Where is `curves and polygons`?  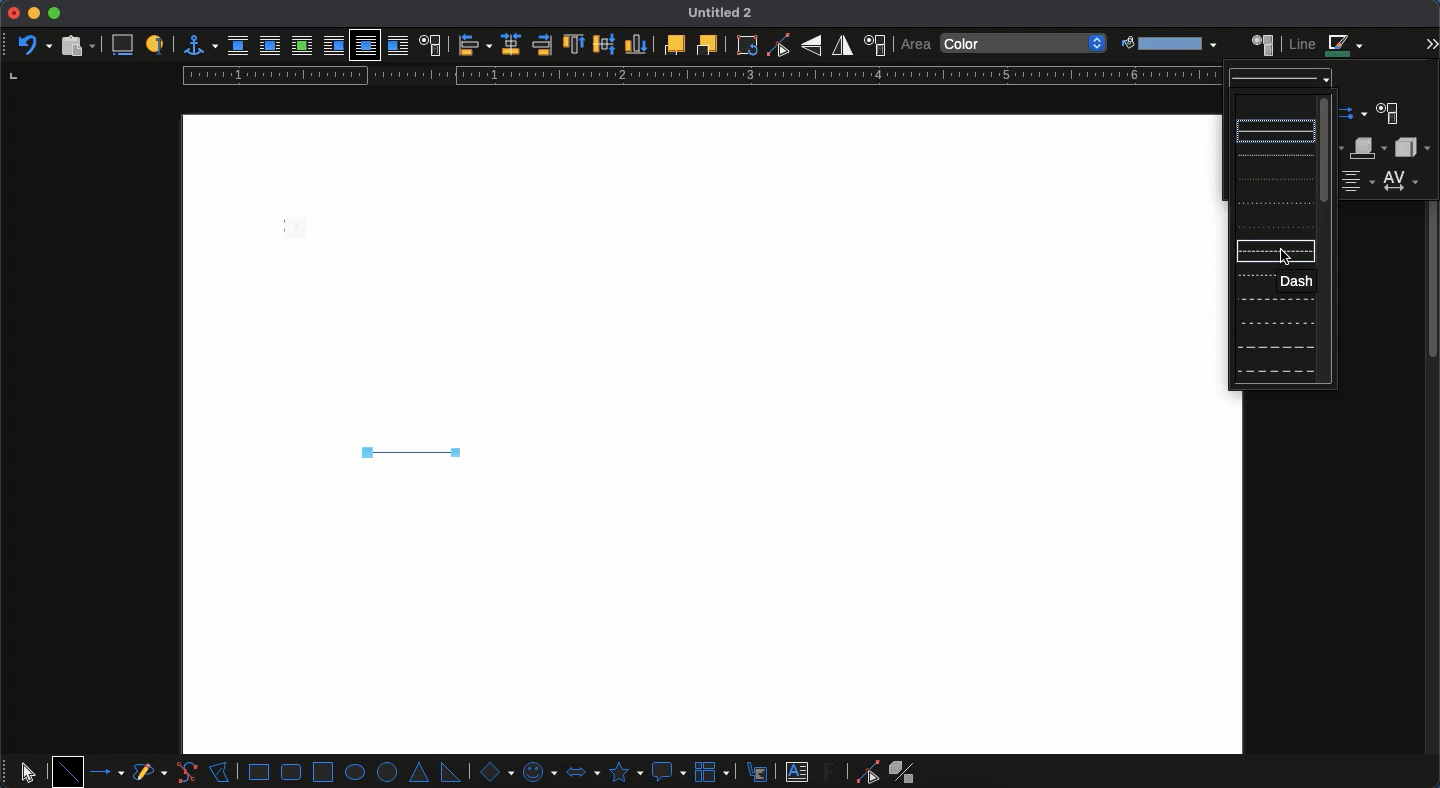 curves and polygons is located at coordinates (150, 773).